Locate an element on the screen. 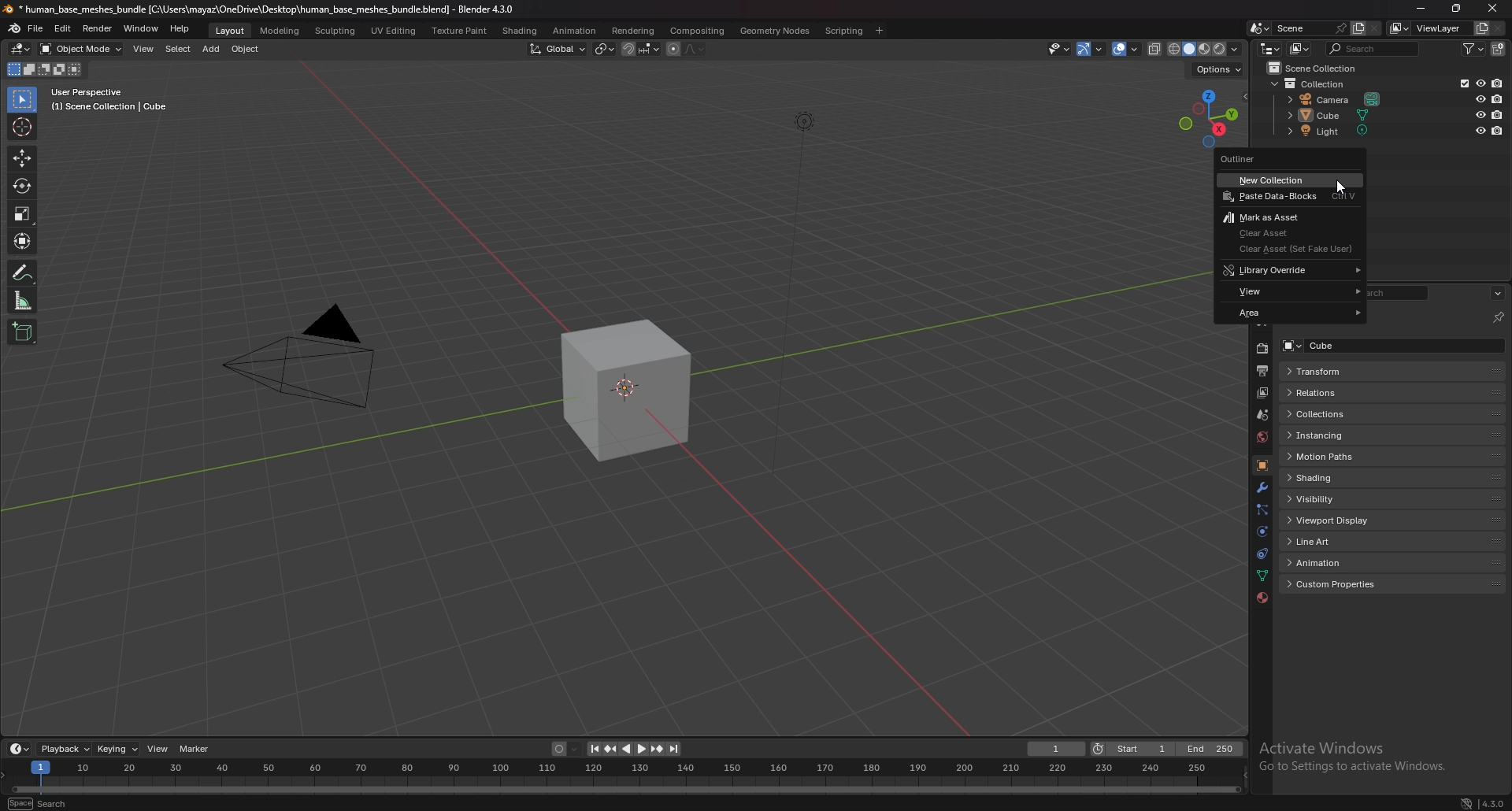 The width and height of the screenshot is (1512, 811). edit is located at coordinates (63, 30).